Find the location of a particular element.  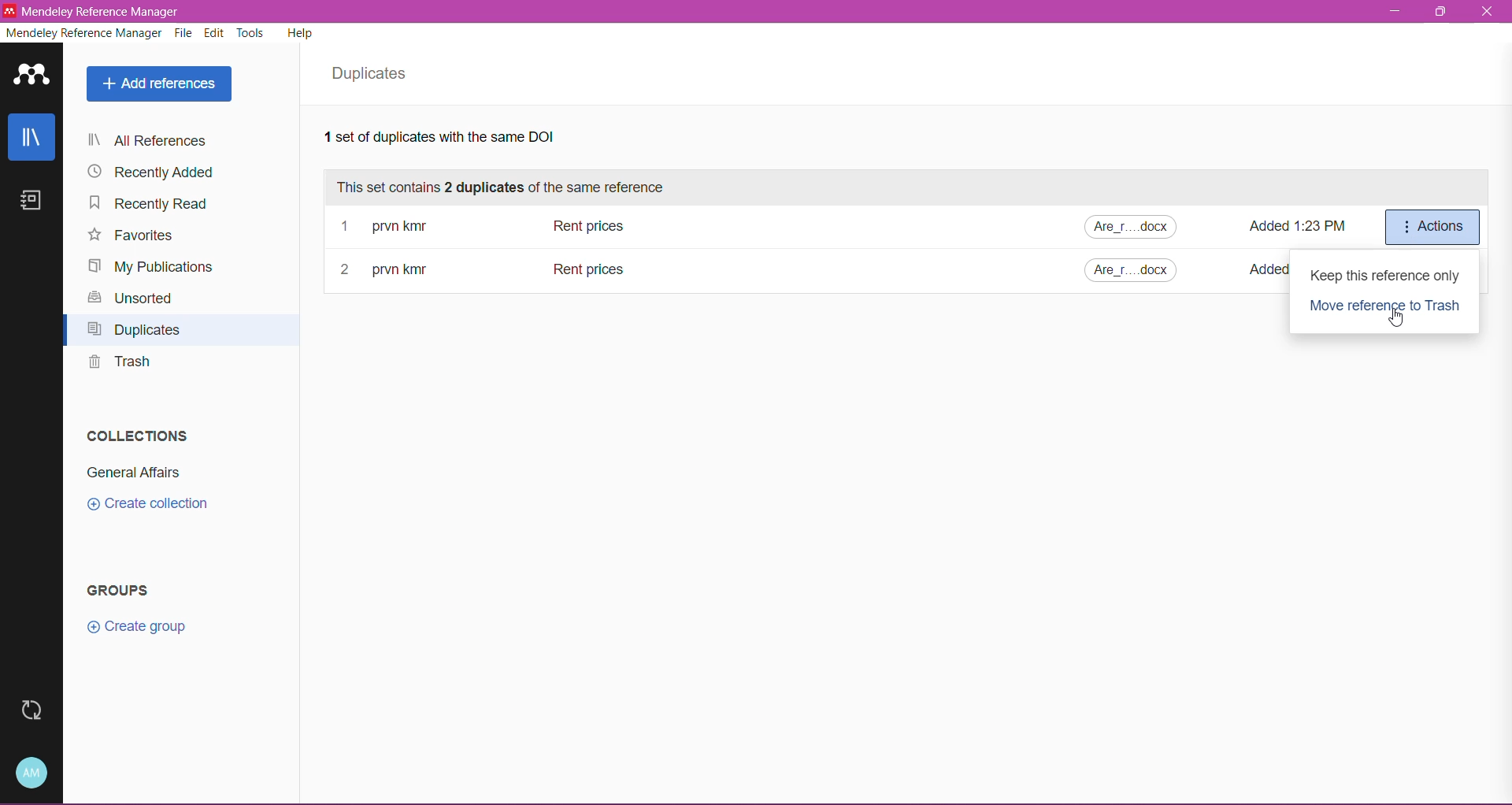

Collections is located at coordinates (134, 433).